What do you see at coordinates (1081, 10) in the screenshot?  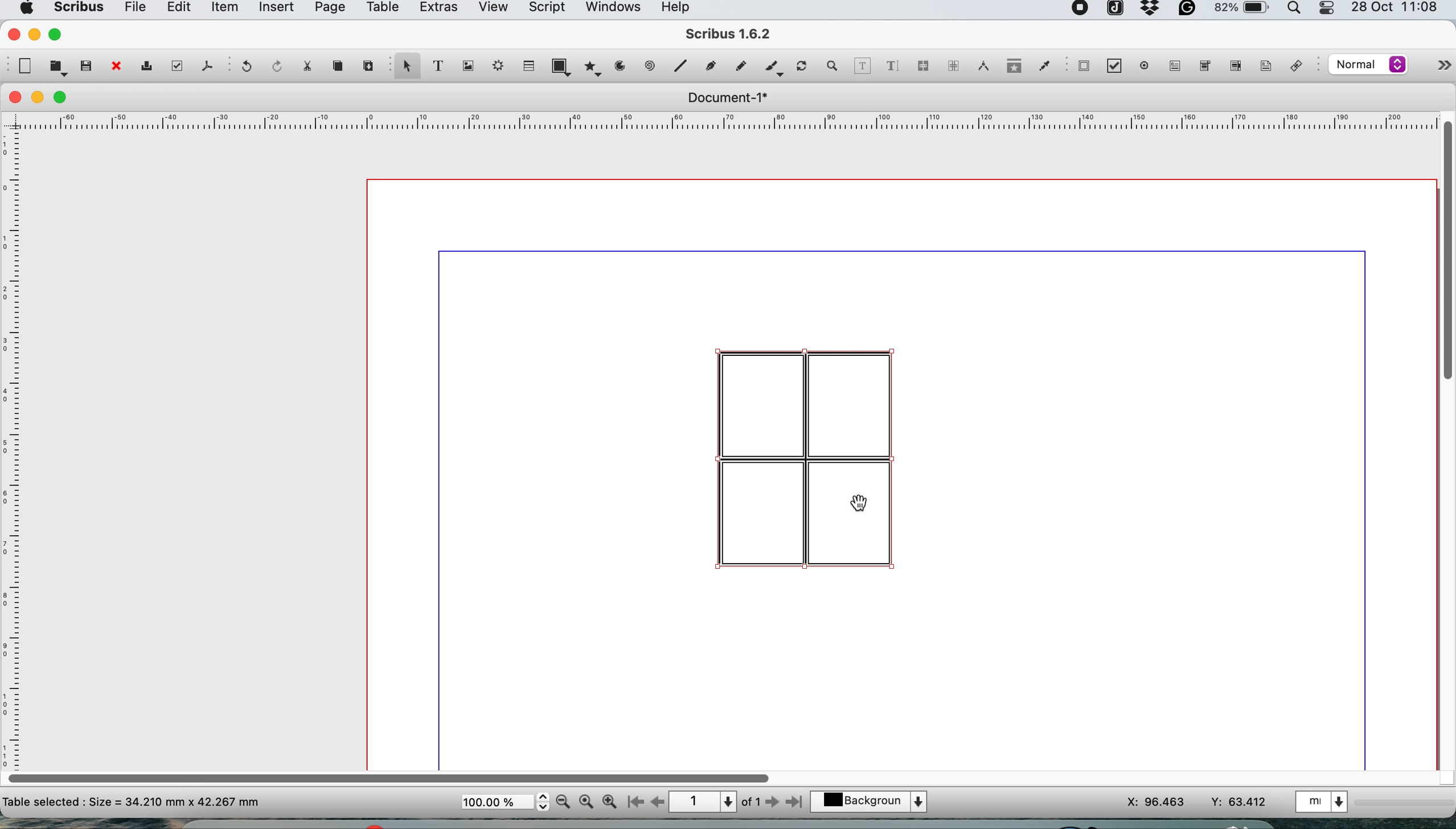 I see `screen recorder` at bounding box center [1081, 10].